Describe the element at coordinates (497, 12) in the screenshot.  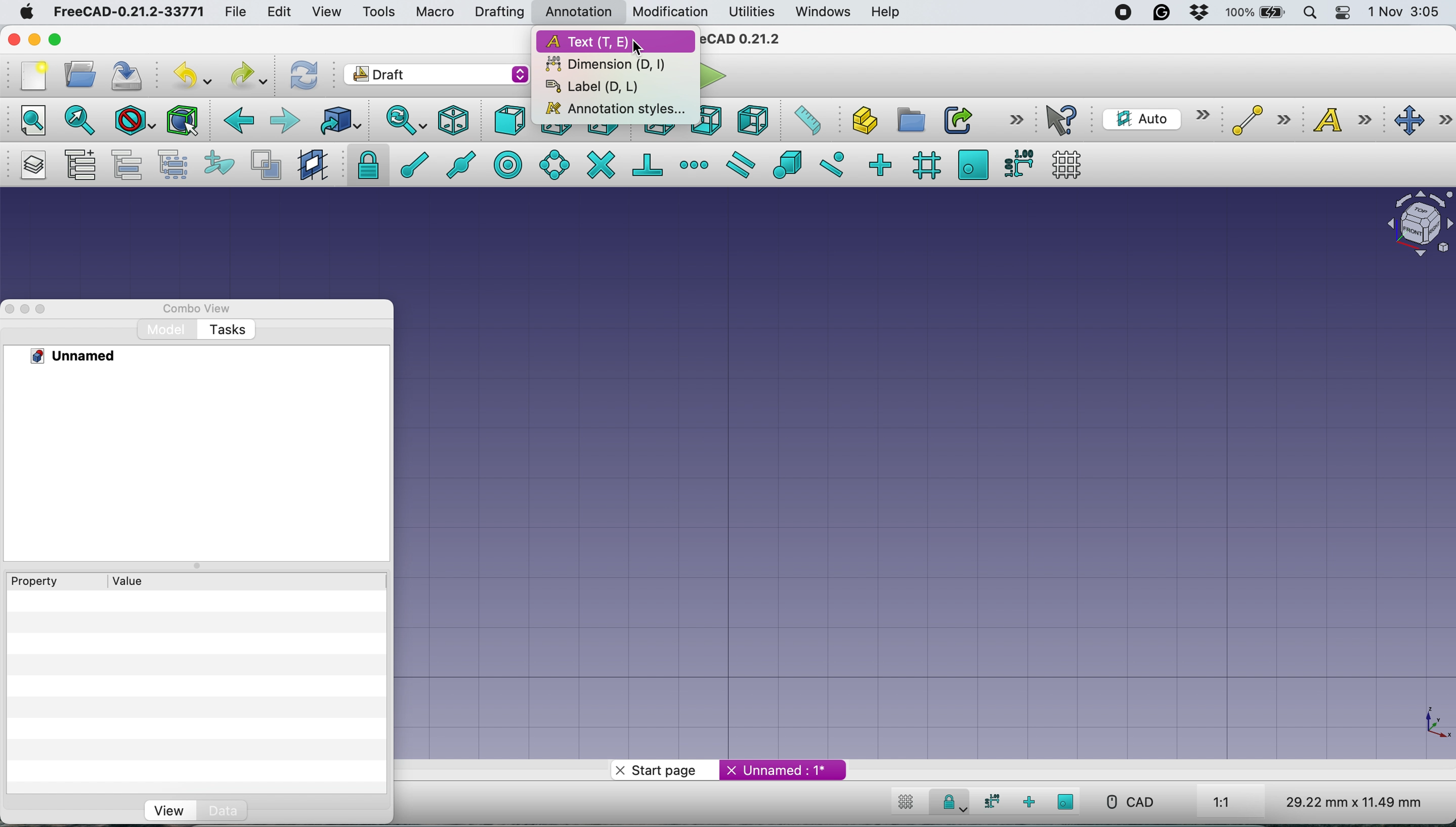
I see `drafting` at that location.